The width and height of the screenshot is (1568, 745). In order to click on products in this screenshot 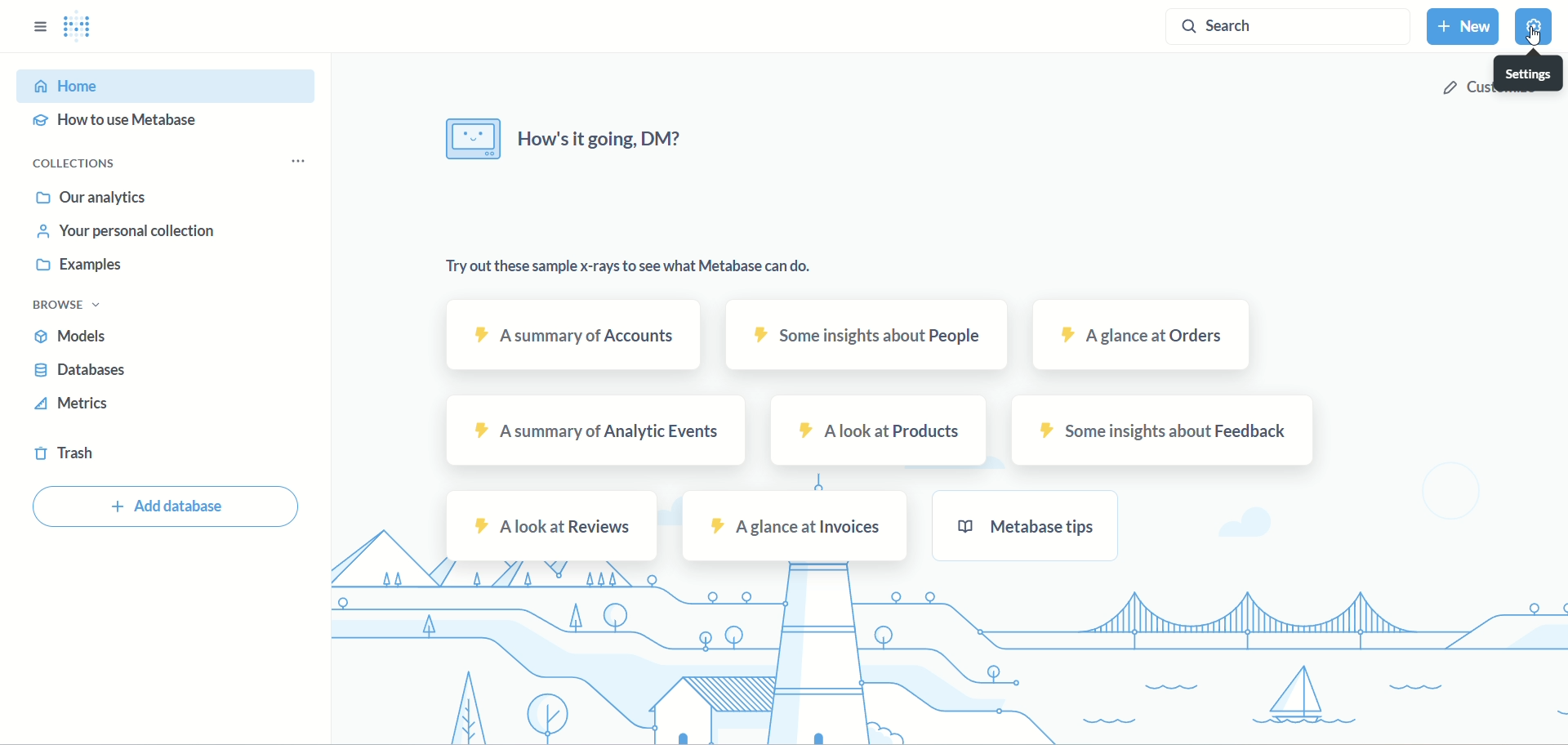, I will do `click(878, 430)`.